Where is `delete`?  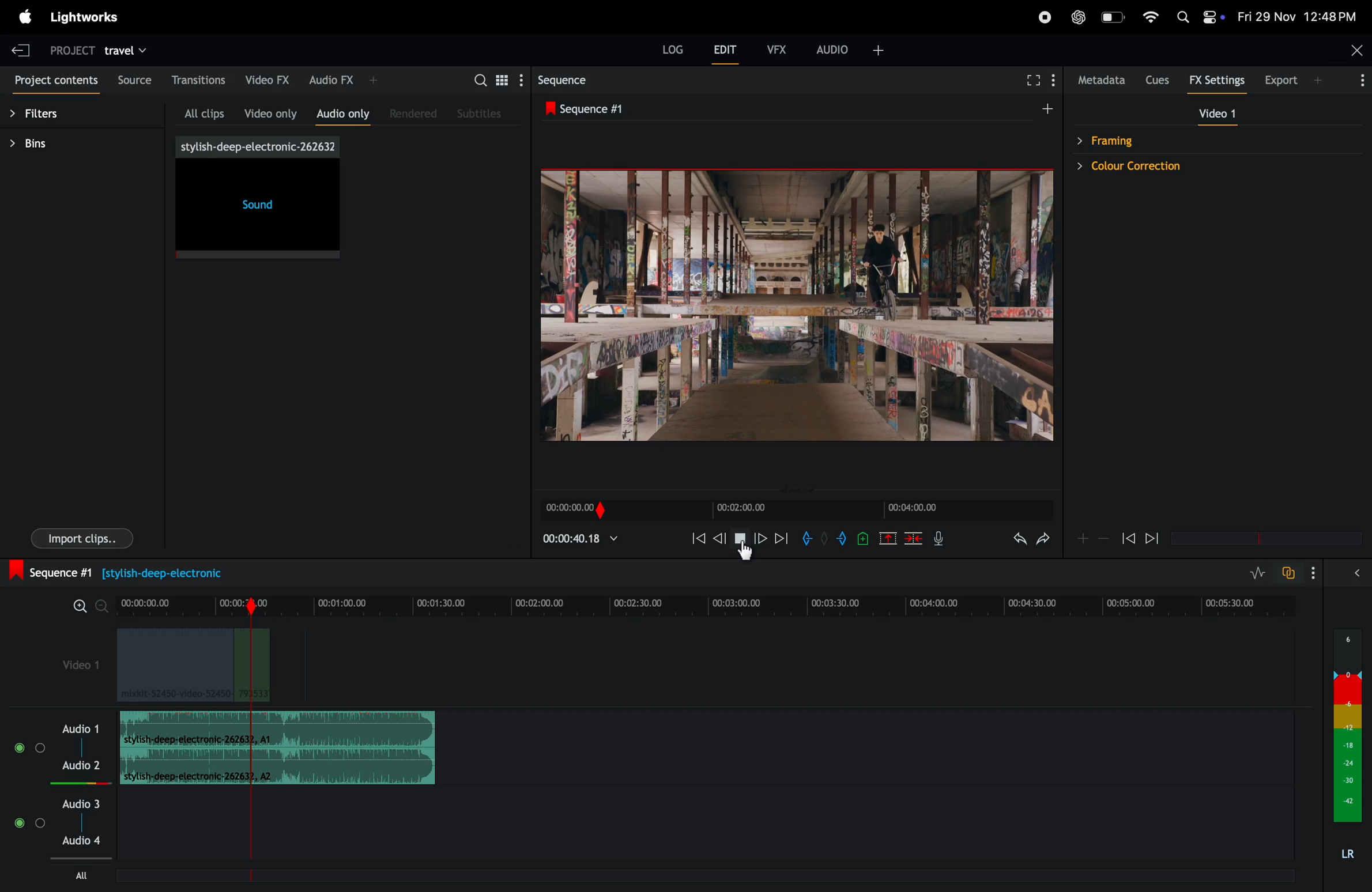 delete is located at coordinates (914, 537).